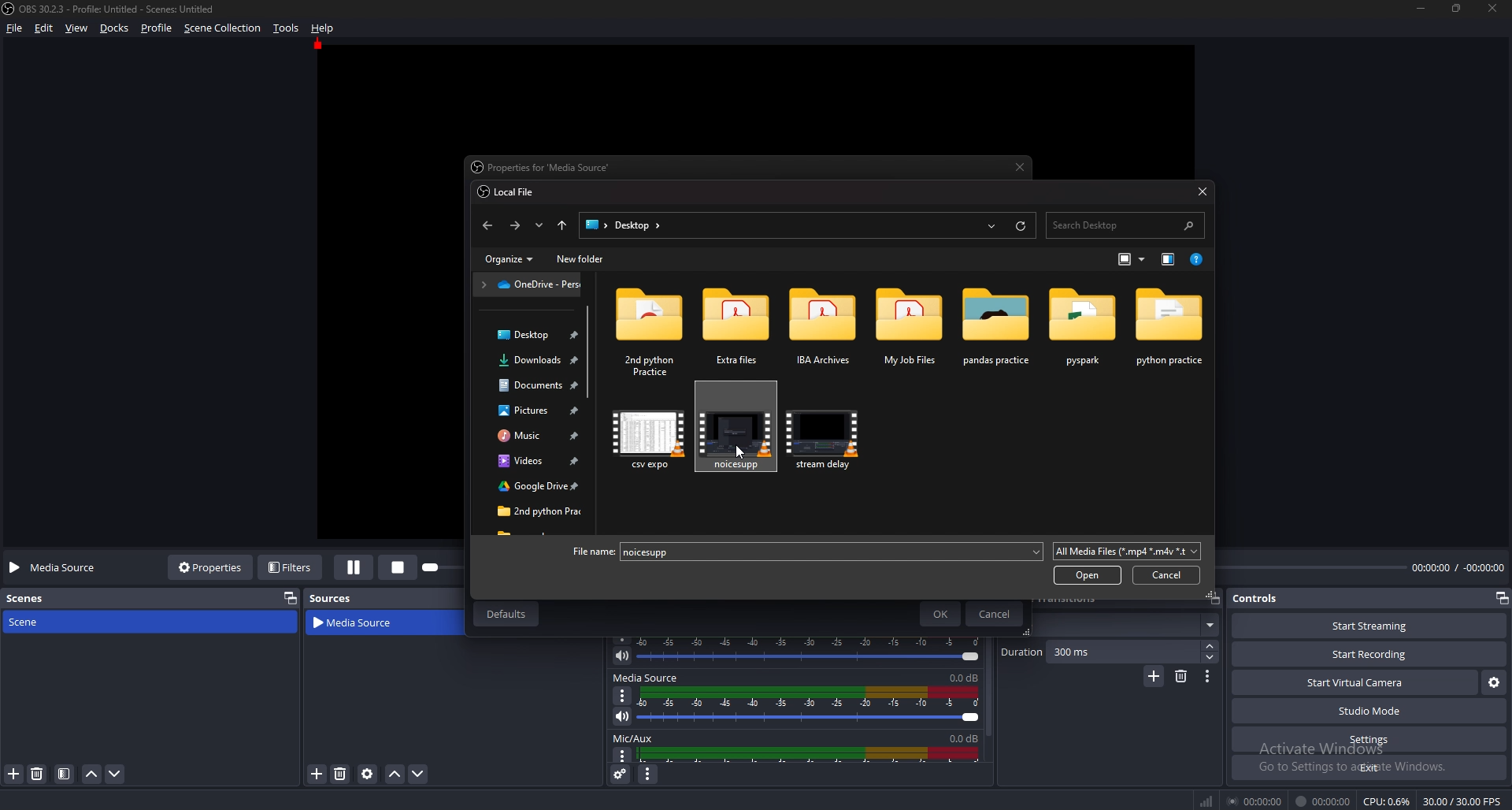 The image size is (1512, 810). What do you see at coordinates (623, 695) in the screenshot?
I see `Options` at bounding box center [623, 695].